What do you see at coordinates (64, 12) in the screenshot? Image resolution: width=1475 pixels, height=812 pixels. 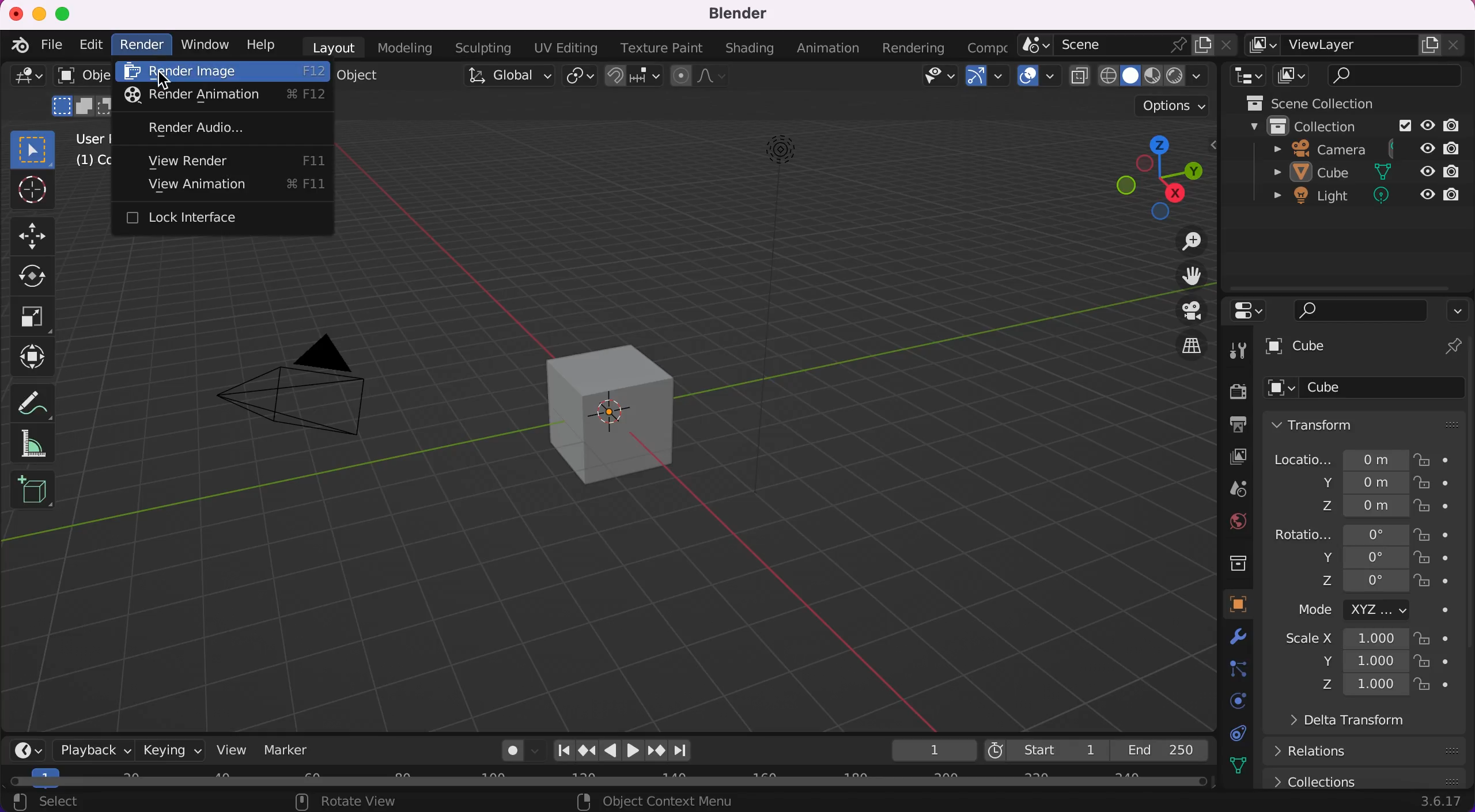 I see `maximize` at bounding box center [64, 12].